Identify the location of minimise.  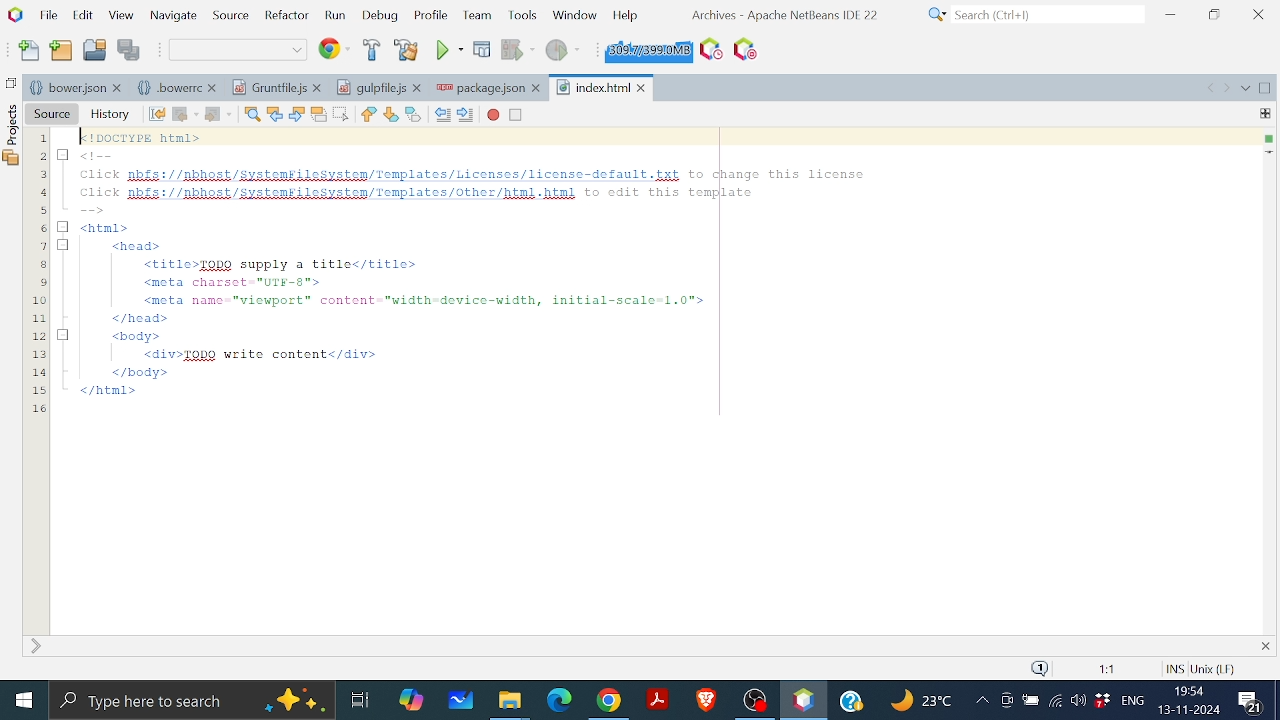
(63, 227).